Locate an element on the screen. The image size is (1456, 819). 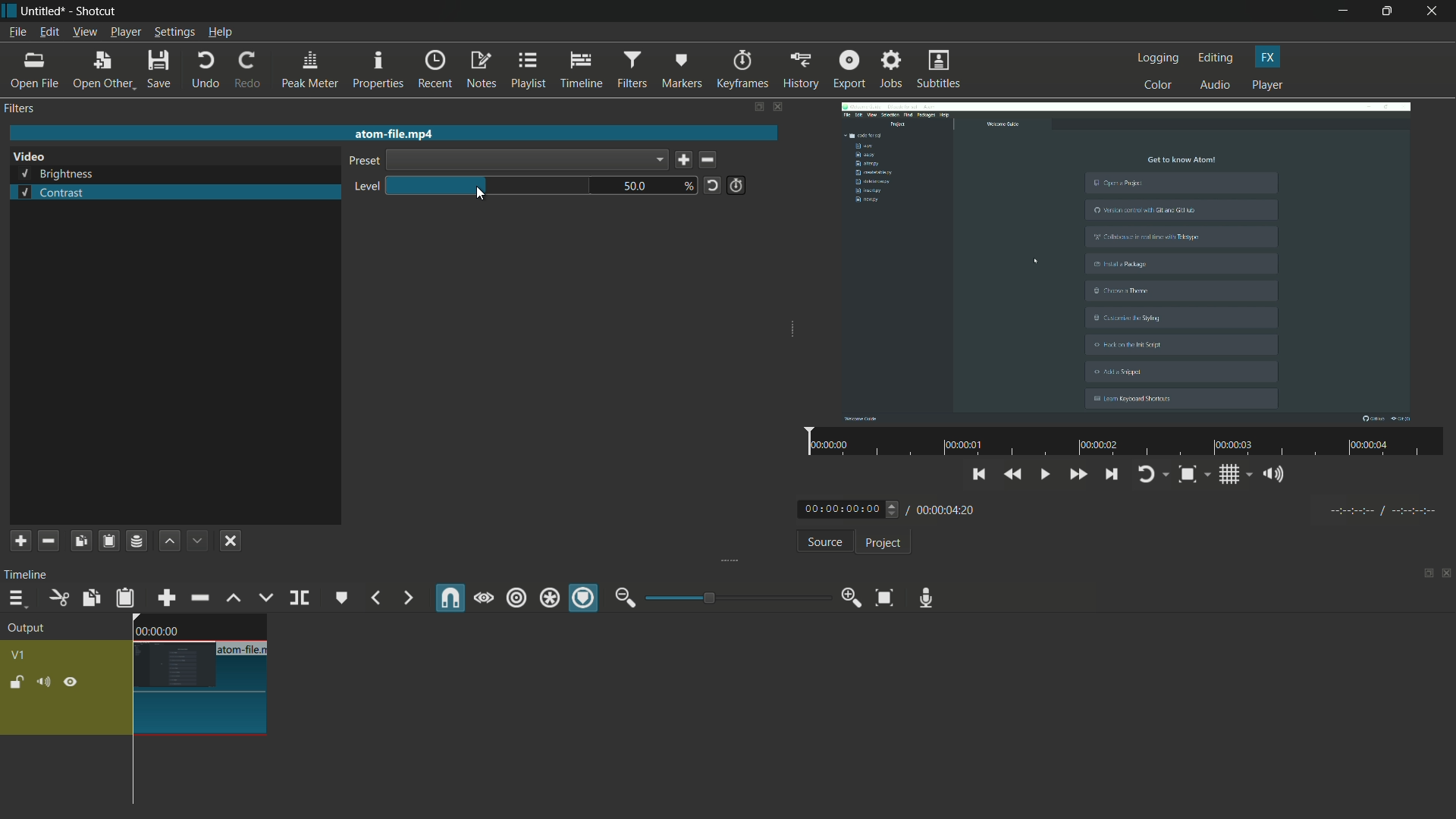
reset to default is located at coordinates (712, 184).